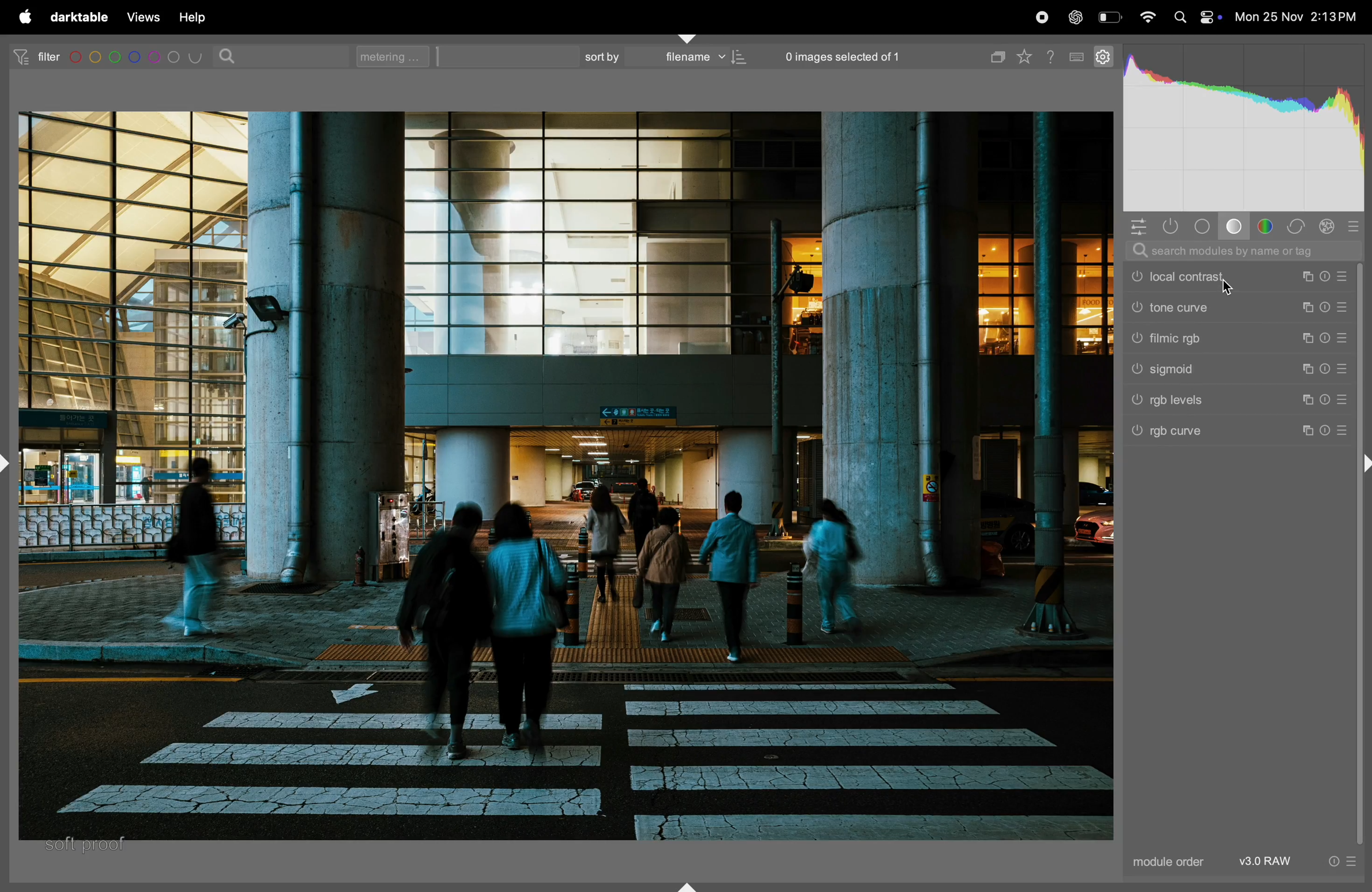  What do you see at coordinates (1102, 55) in the screenshot?
I see `settings` at bounding box center [1102, 55].